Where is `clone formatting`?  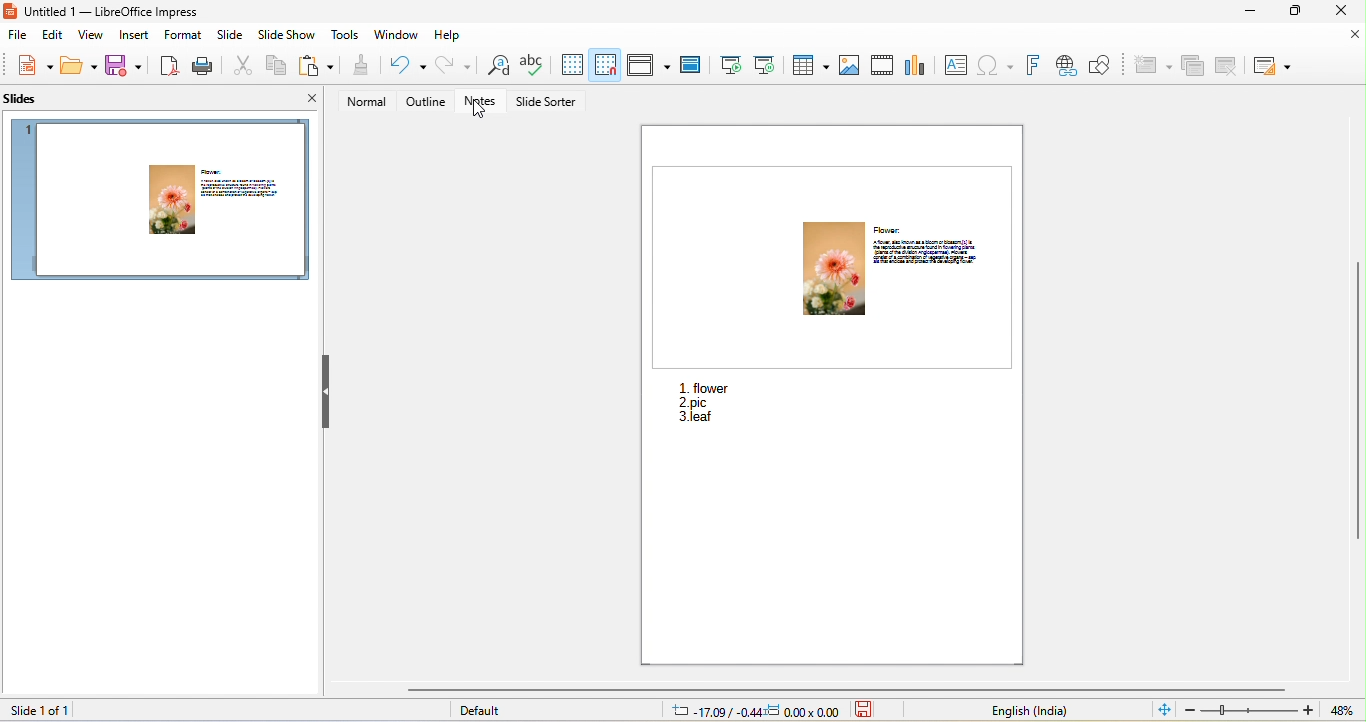 clone formatting is located at coordinates (359, 65).